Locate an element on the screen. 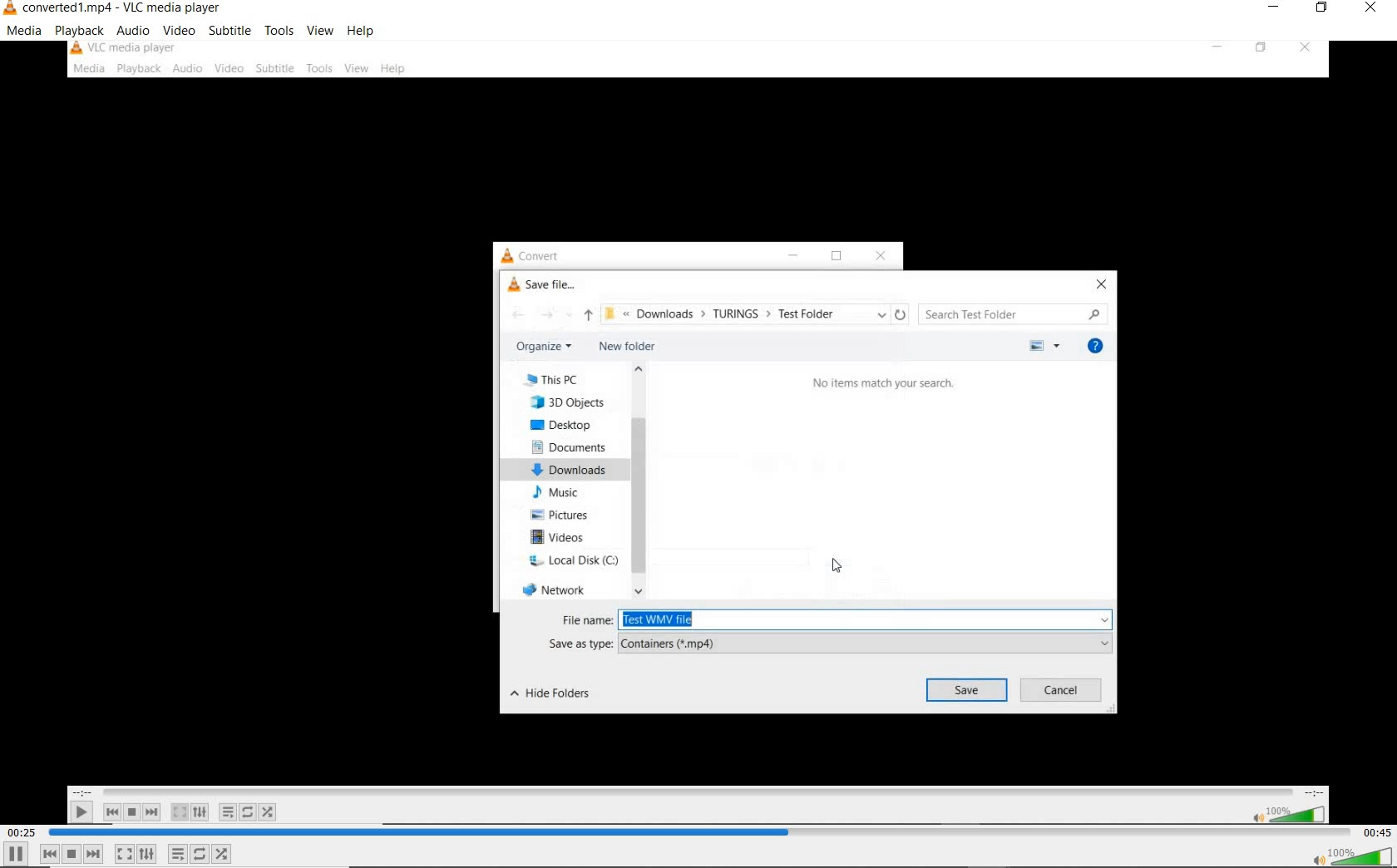 The height and width of the screenshot is (868, 1397). toggle playlist is located at coordinates (178, 853).